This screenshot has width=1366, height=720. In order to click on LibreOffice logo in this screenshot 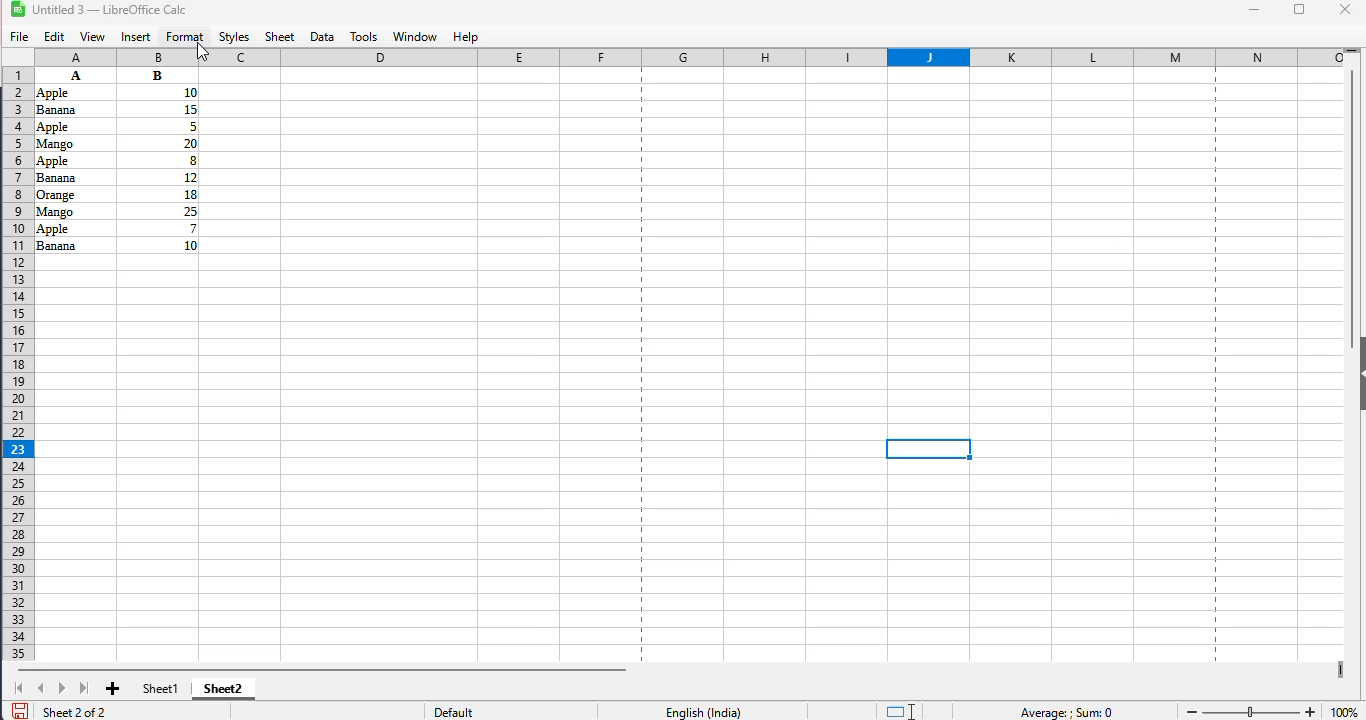, I will do `click(29, 9)`.